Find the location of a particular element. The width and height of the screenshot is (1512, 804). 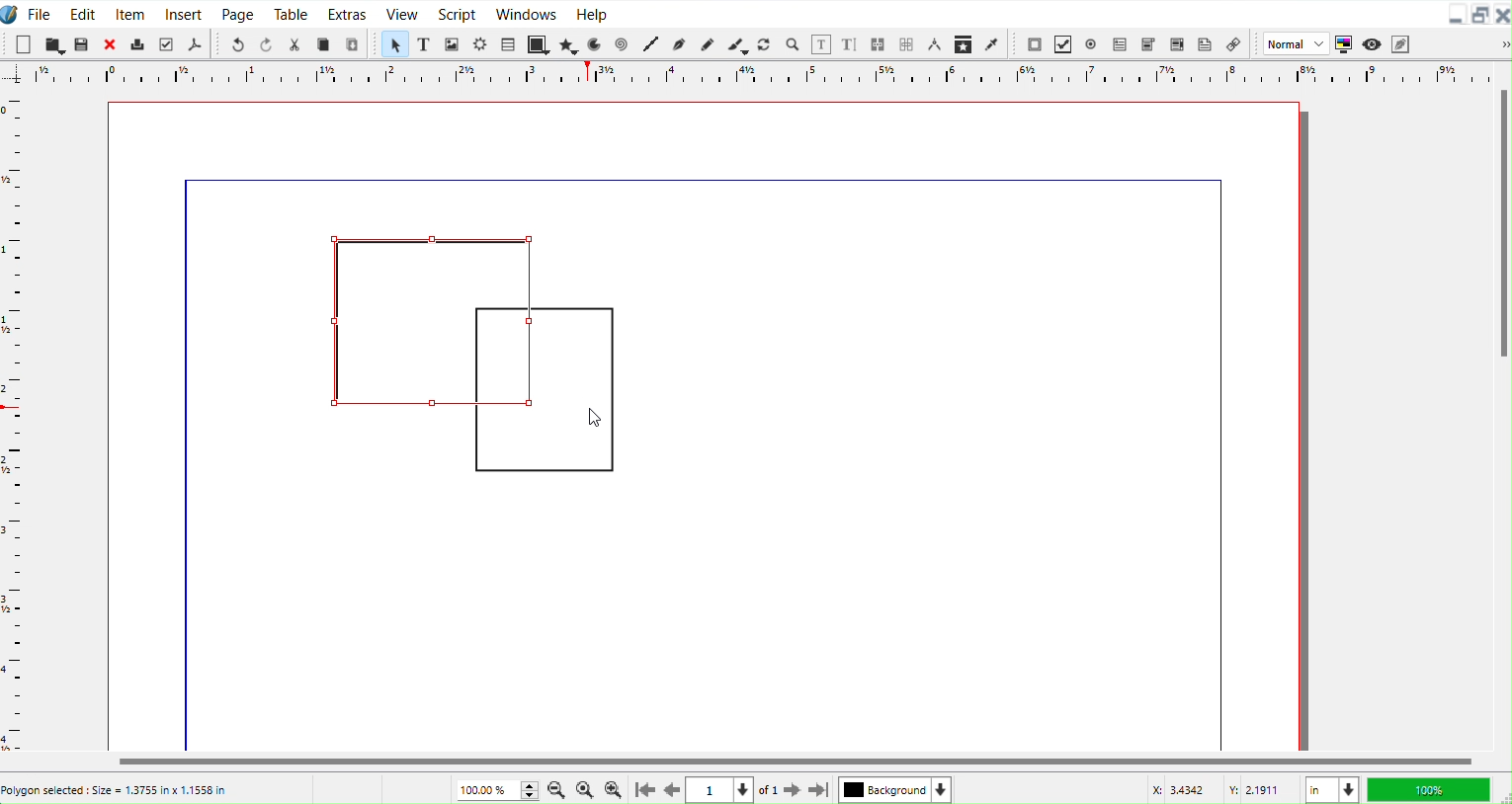

Open is located at coordinates (55, 43).